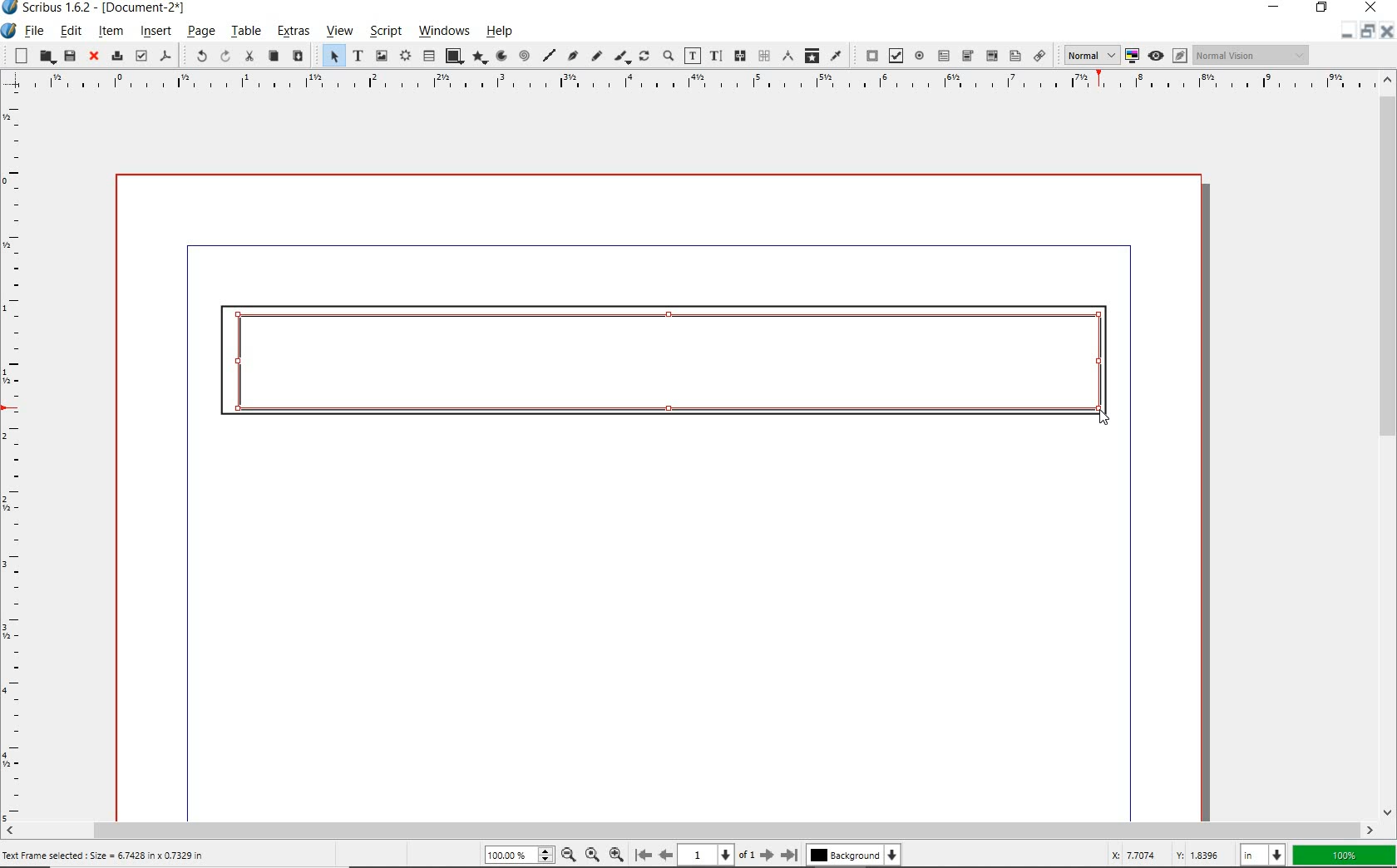  What do you see at coordinates (662, 362) in the screenshot?
I see `drawn text frame` at bounding box center [662, 362].